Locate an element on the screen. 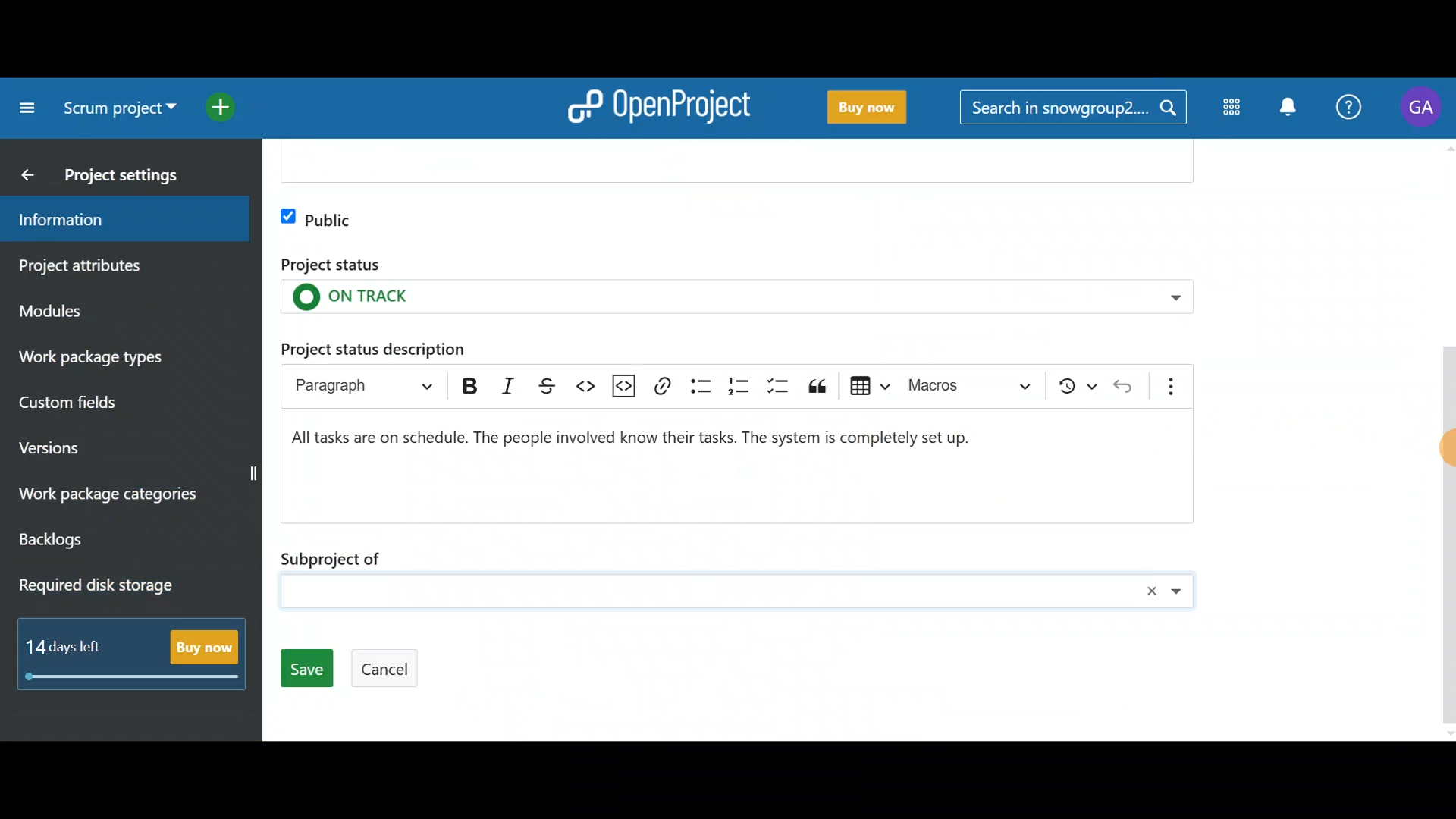 This screenshot has width=1456, height=819. Save is located at coordinates (304, 670).